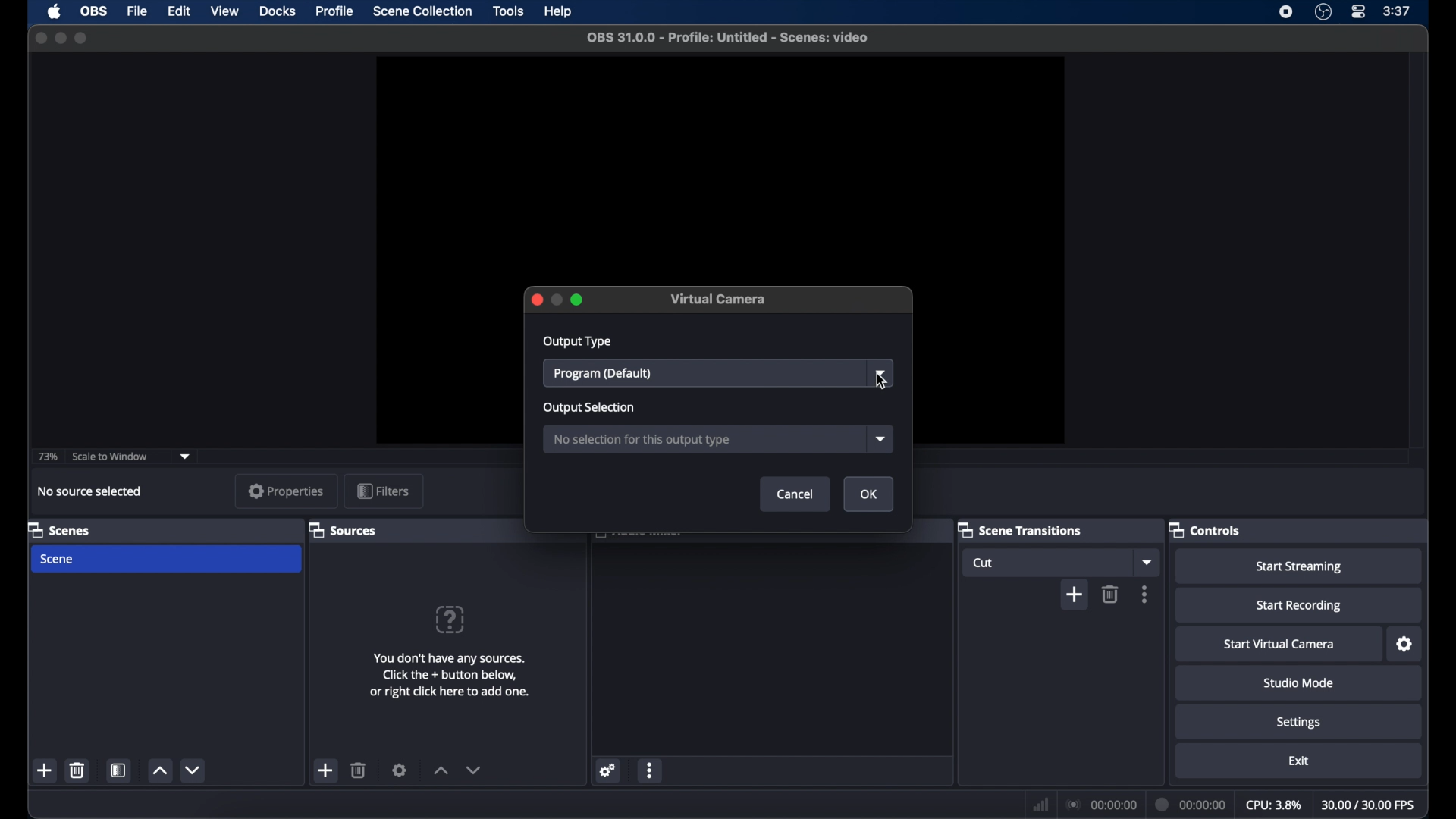  I want to click on controls, so click(1205, 529).